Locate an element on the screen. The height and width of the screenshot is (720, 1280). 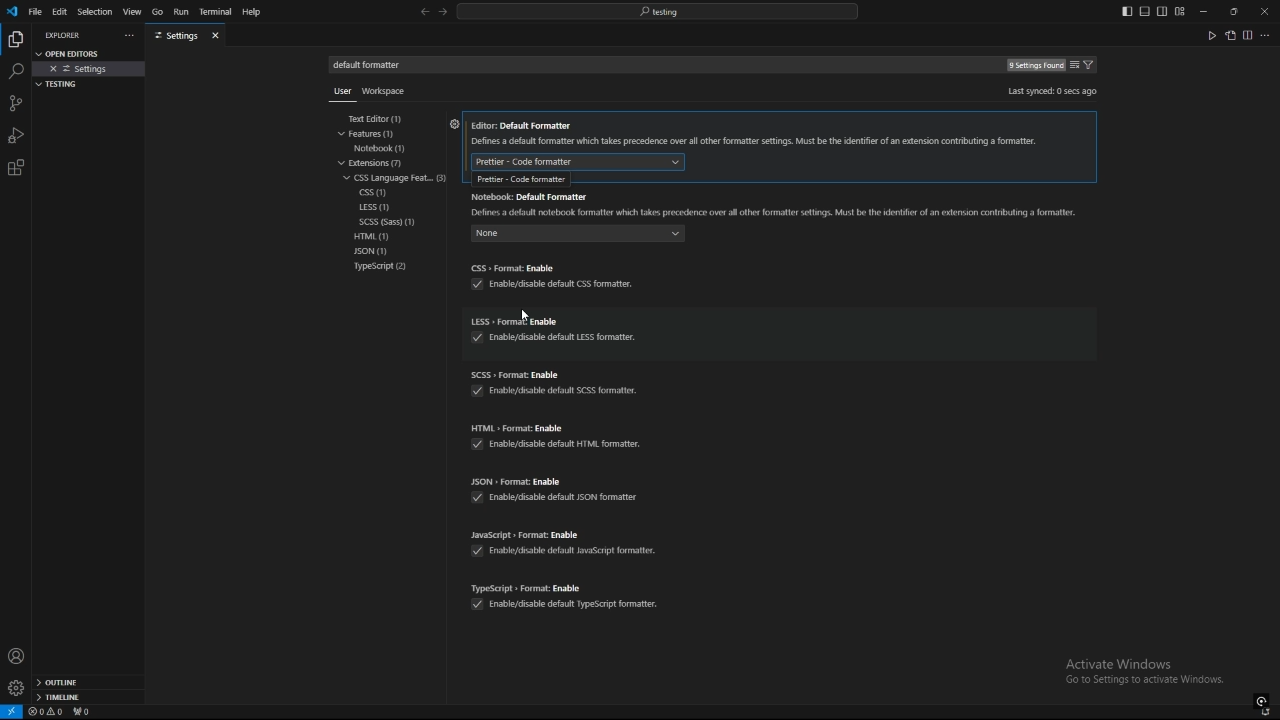
split editor right is located at coordinates (1248, 35).